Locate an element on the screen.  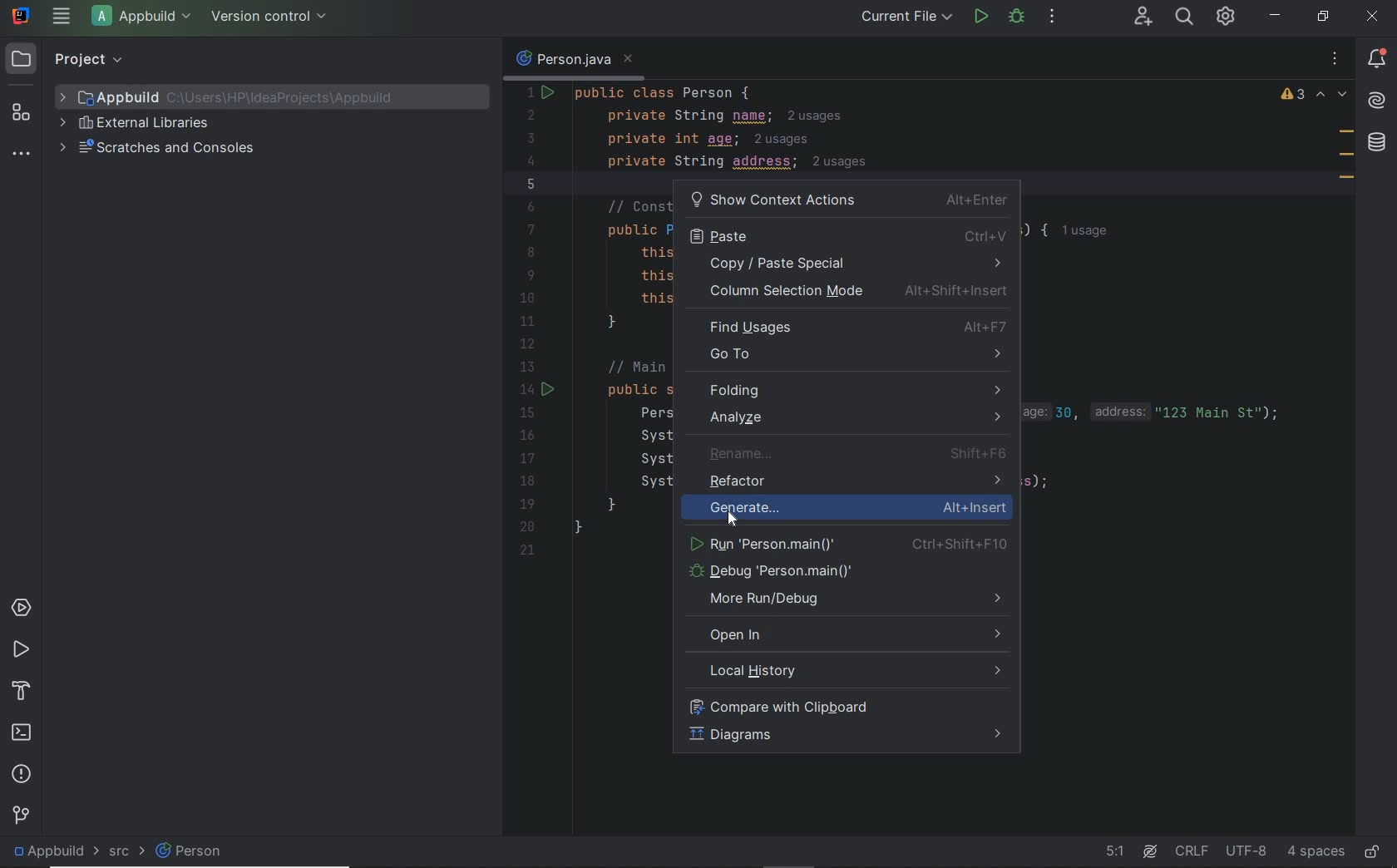
database is located at coordinates (1380, 144).